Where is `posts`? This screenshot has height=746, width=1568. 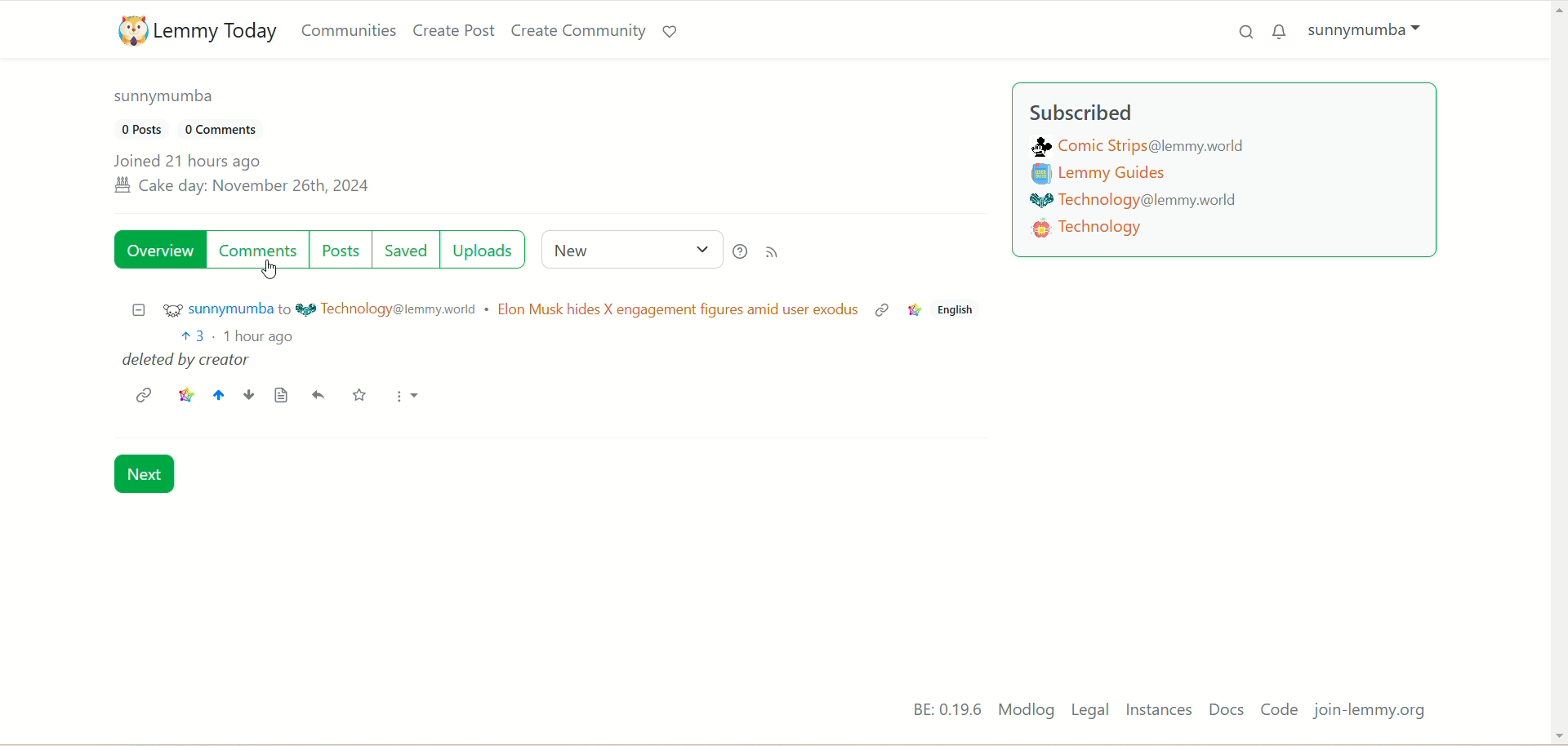 posts is located at coordinates (344, 248).